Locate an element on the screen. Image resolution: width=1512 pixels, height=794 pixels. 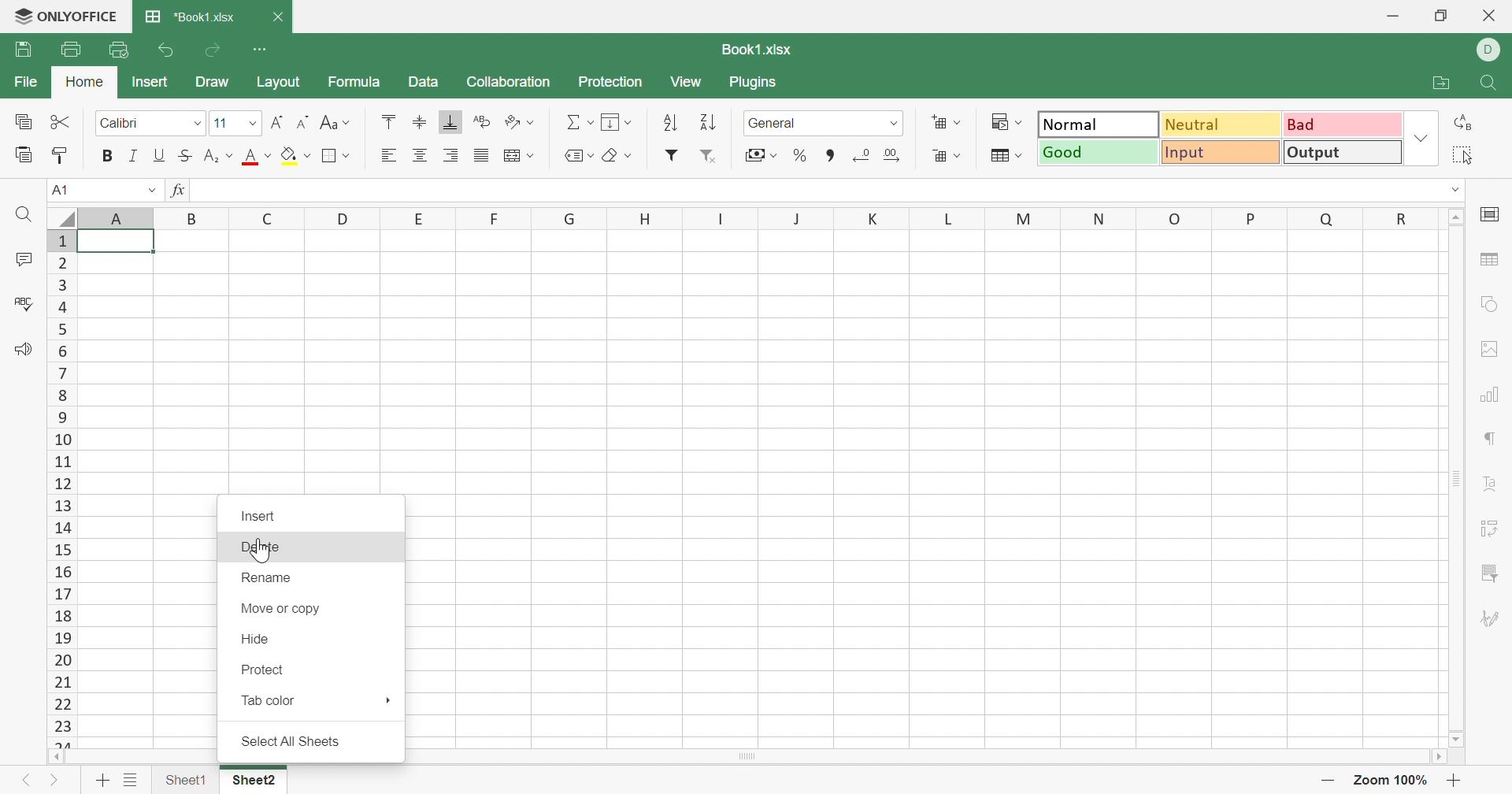
Fill color is located at coordinates (288, 155).